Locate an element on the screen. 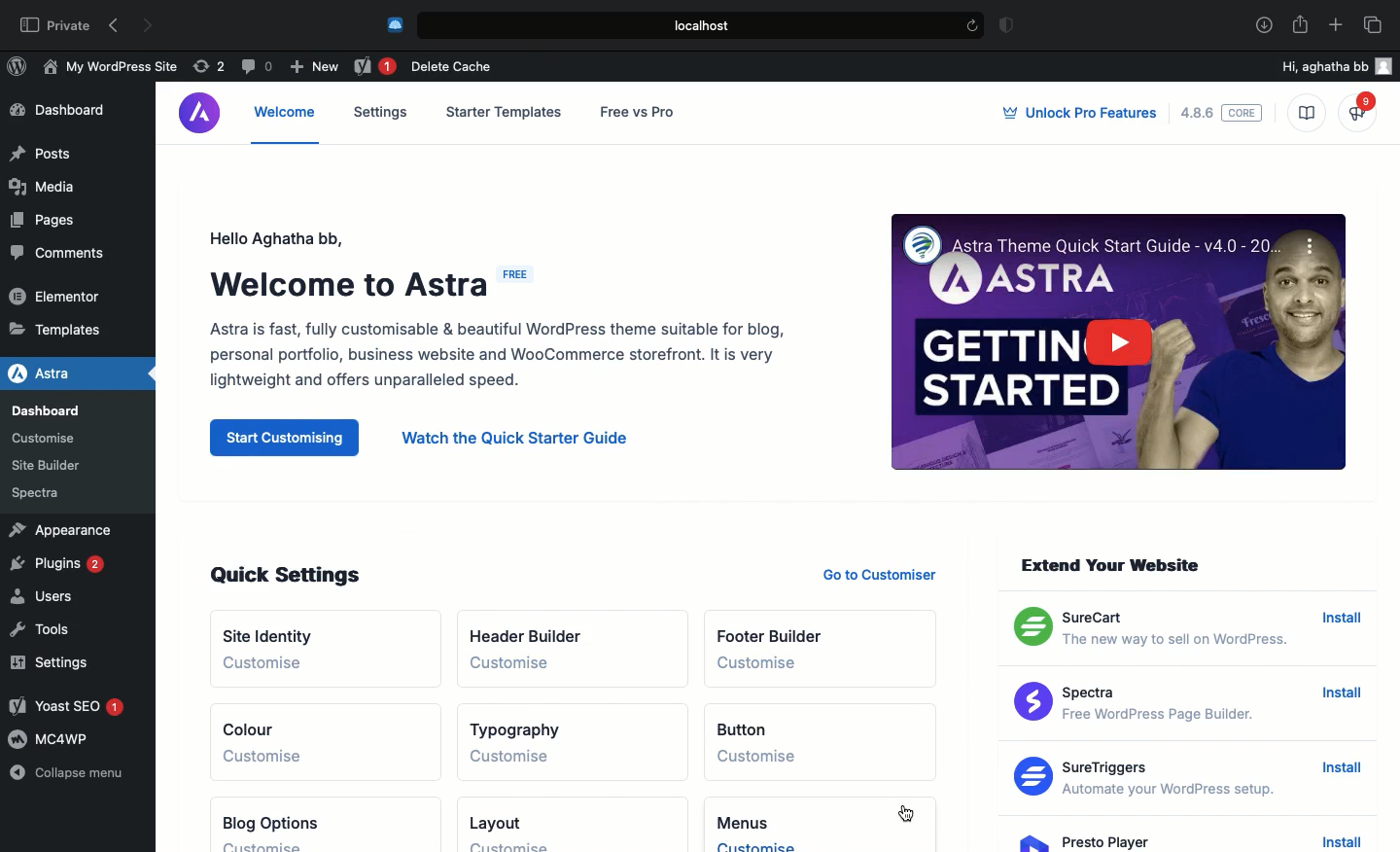  Starter templates is located at coordinates (505, 111).